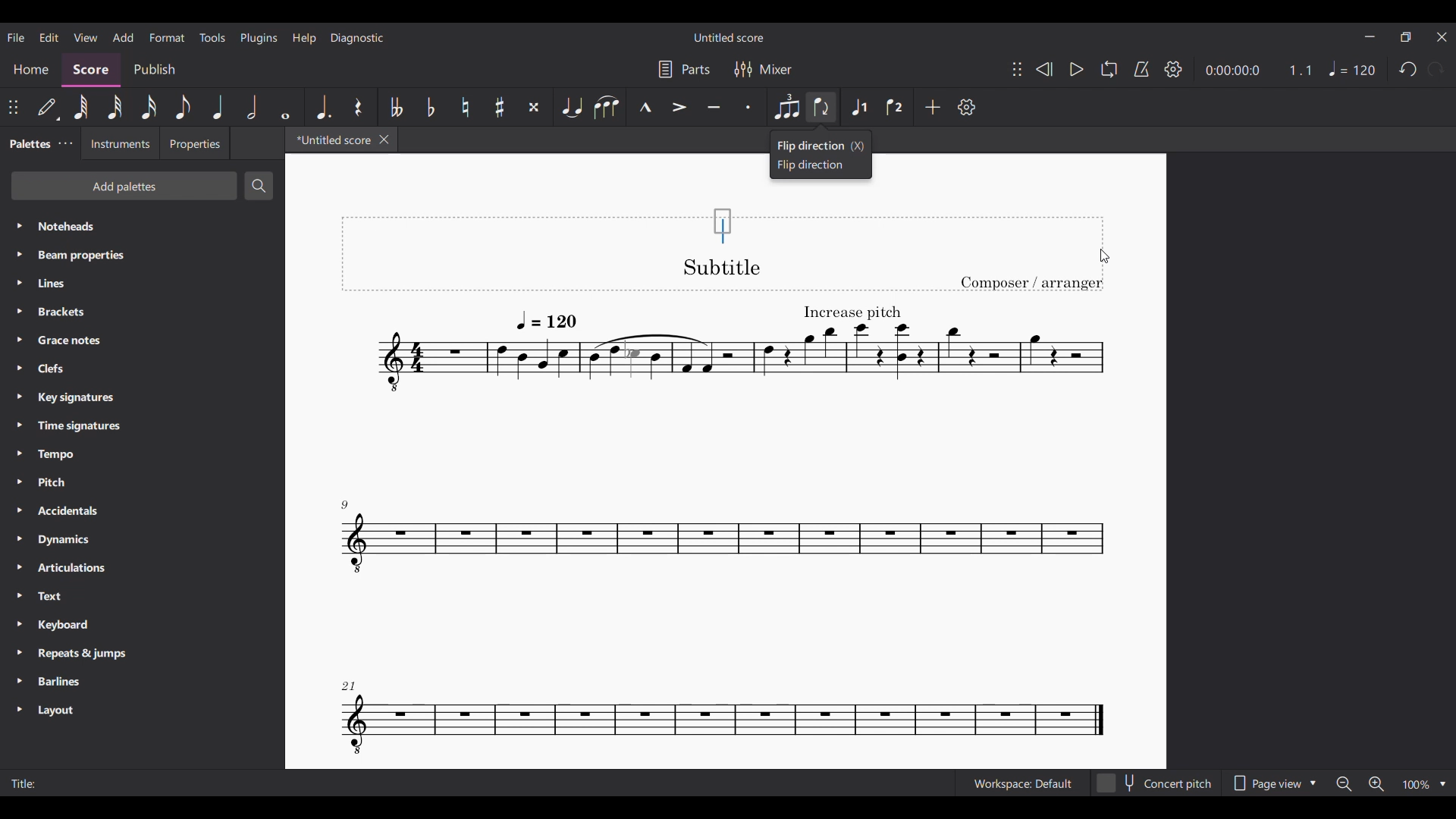 This screenshot has height=819, width=1456. I want to click on Score, current section highlighted, so click(93, 70).